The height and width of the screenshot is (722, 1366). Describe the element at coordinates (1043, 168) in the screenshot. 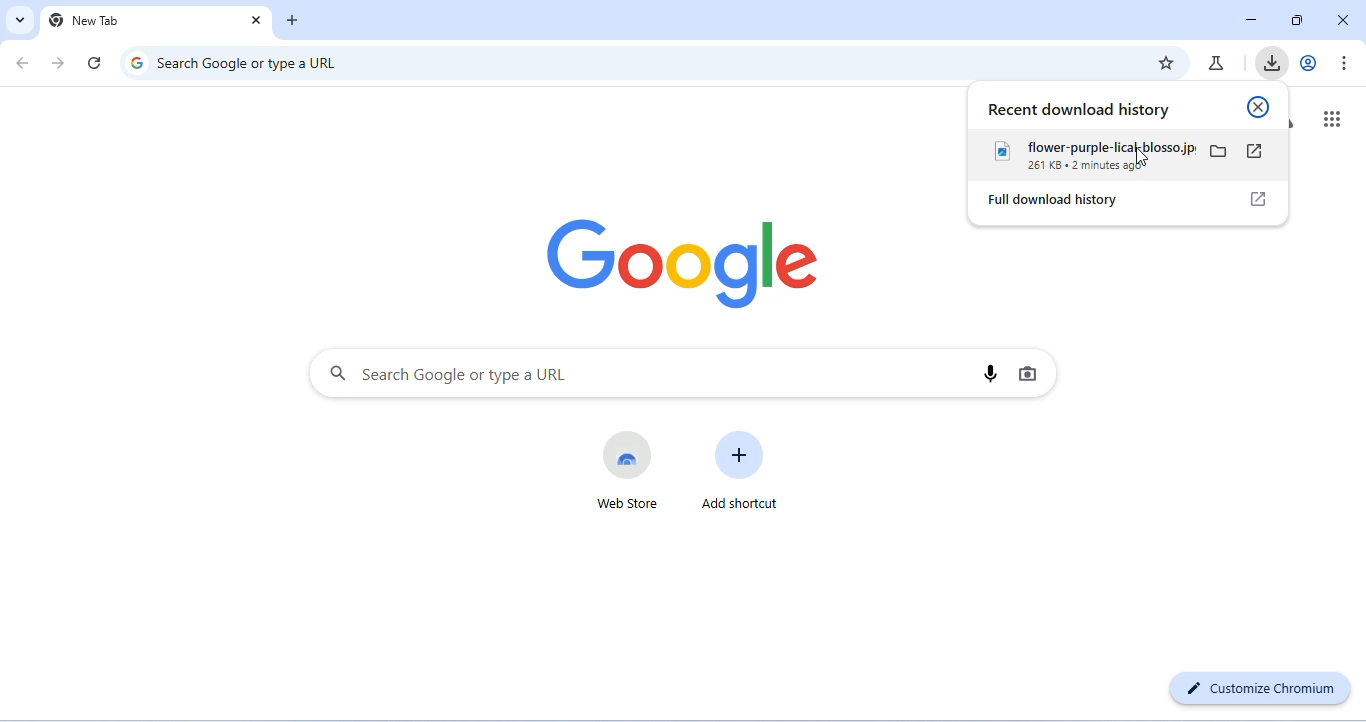

I see `file size` at that location.